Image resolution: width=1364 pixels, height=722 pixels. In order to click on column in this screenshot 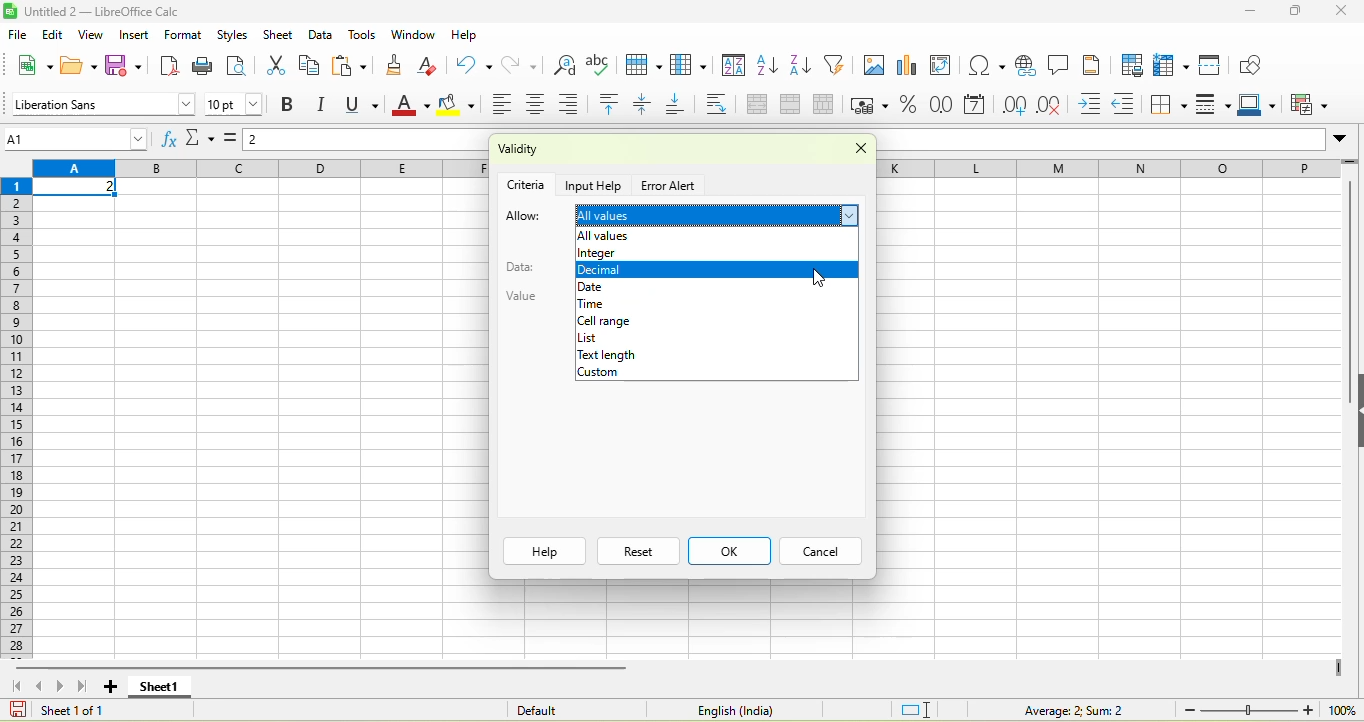, I will do `click(692, 66)`.